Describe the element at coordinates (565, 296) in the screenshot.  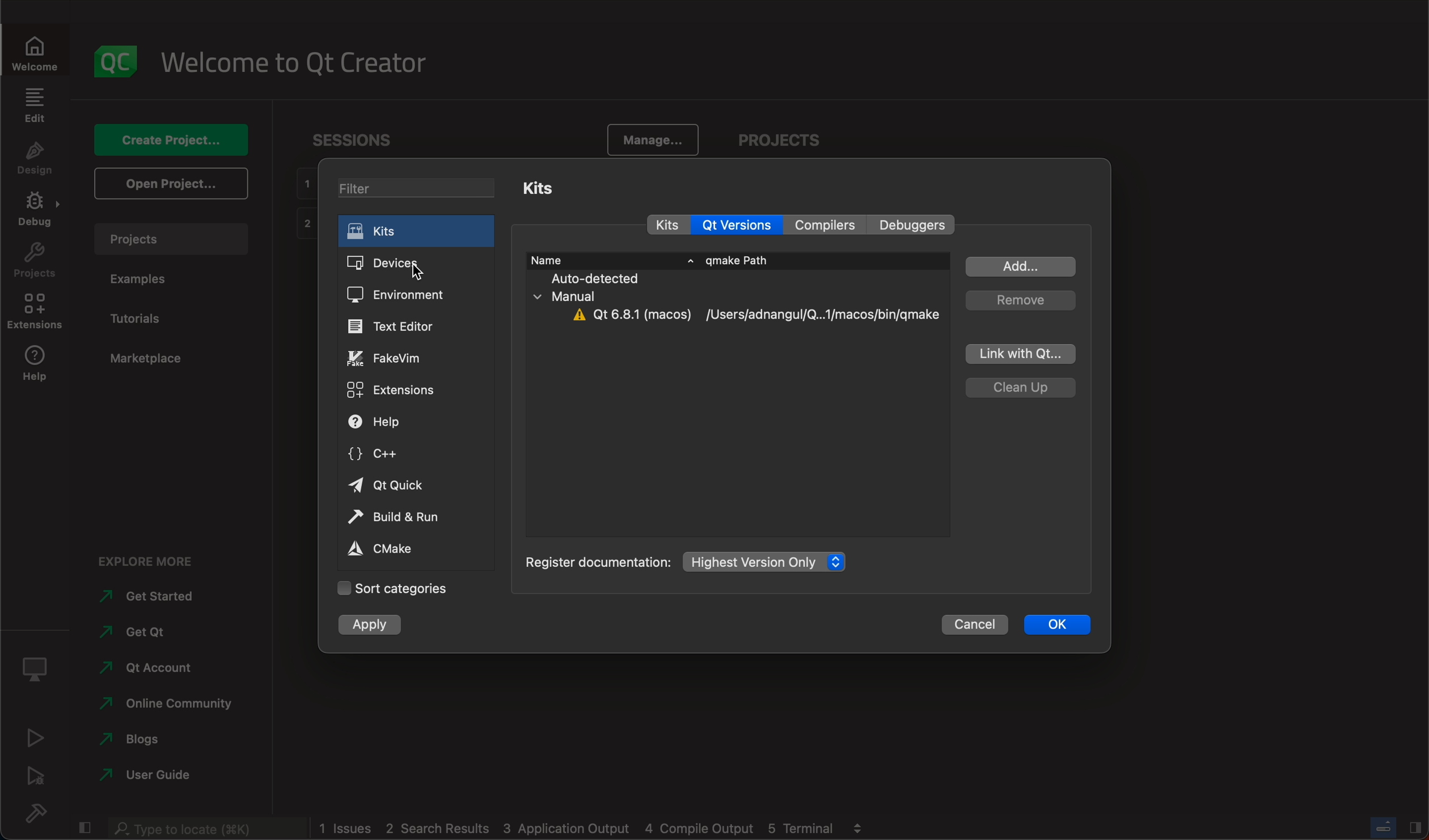
I see `manual` at that location.